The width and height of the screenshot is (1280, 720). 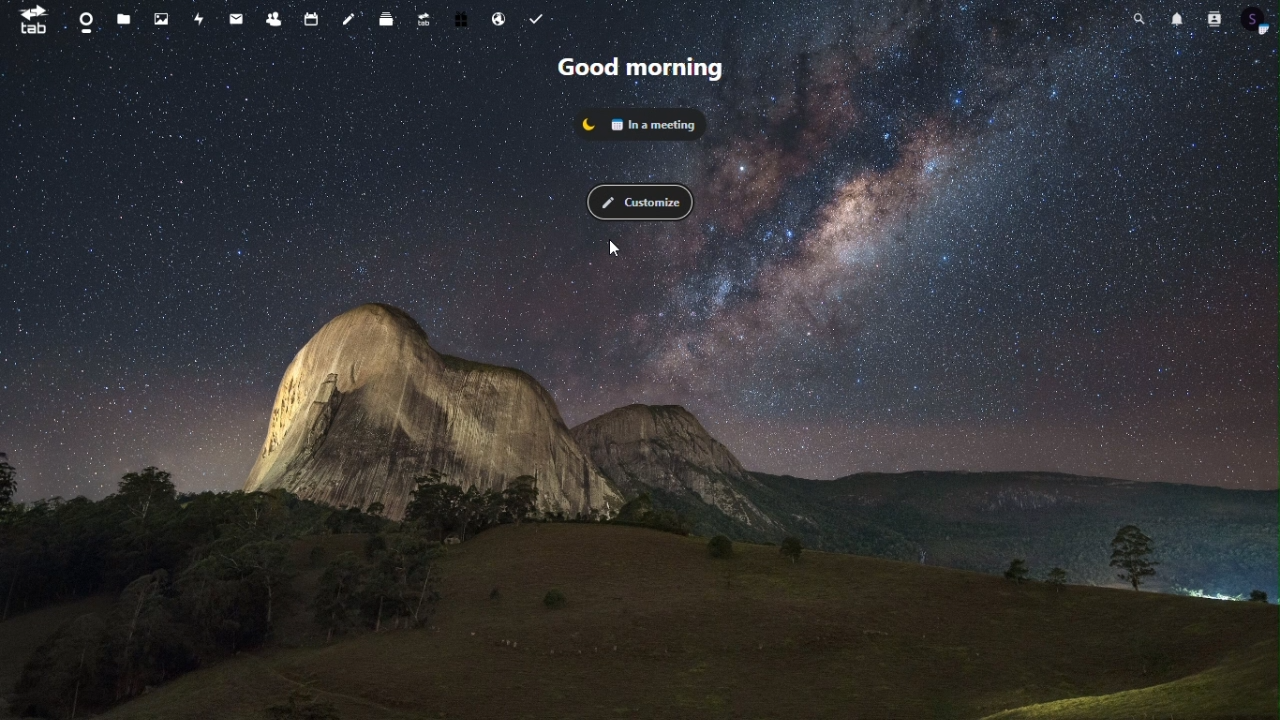 I want to click on search, so click(x=1142, y=18).